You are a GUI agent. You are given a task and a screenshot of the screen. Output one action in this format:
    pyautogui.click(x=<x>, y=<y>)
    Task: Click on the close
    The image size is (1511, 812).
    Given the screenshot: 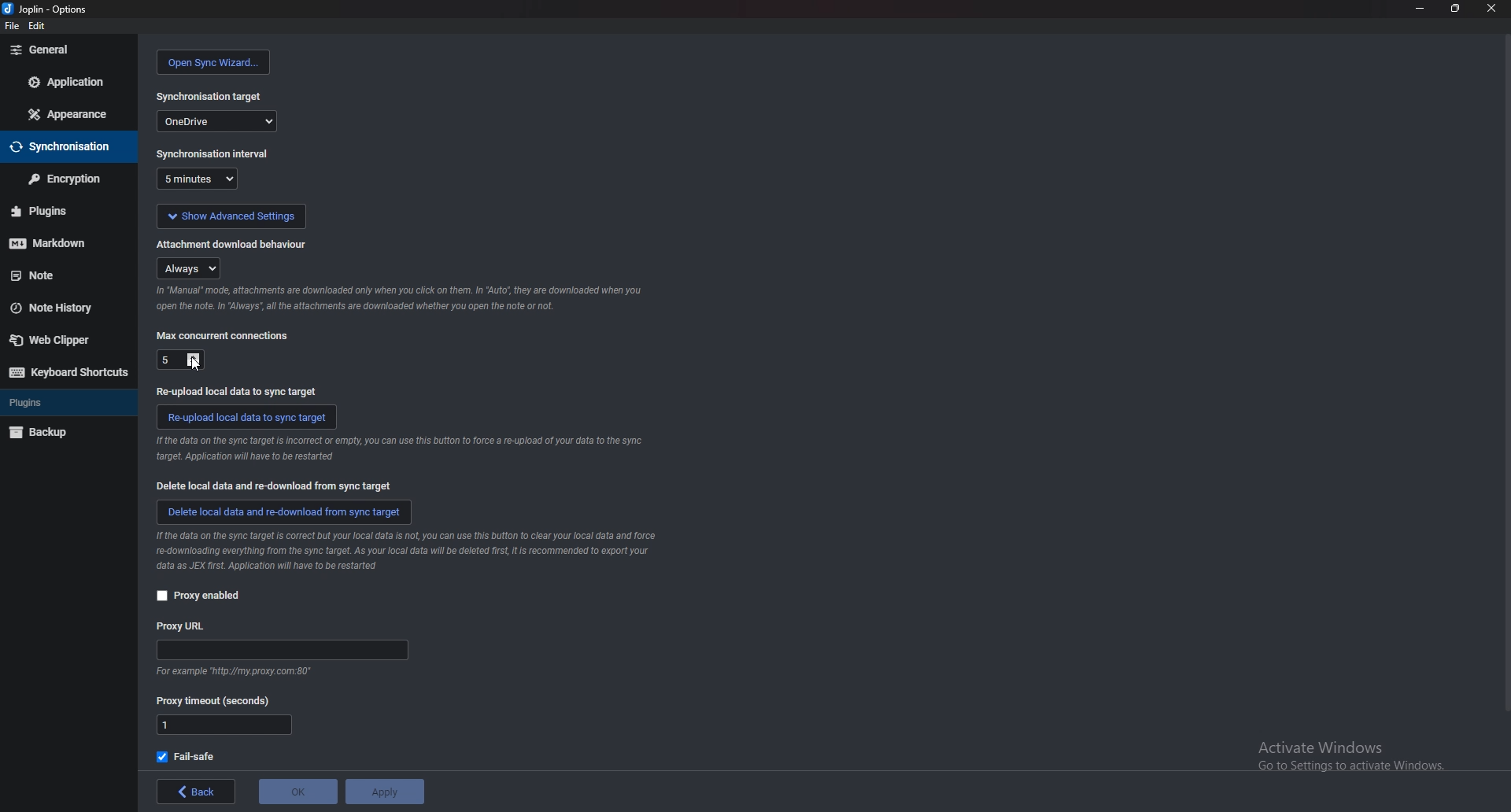 What is the action you would take?
    pyautogui.click(x=1491, y=7)
    